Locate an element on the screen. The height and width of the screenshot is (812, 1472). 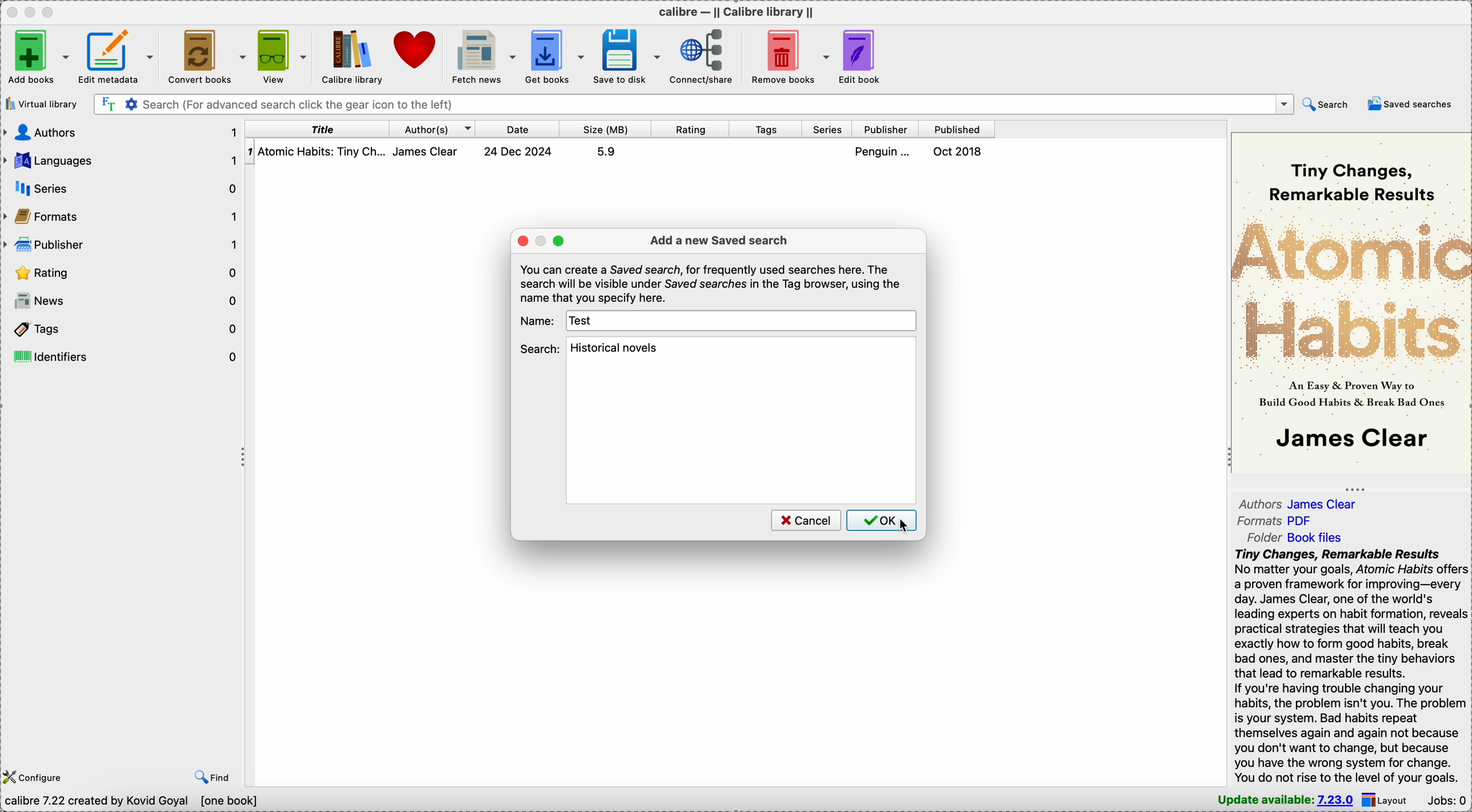
folder Book files is located at coordinates (1294, 538).